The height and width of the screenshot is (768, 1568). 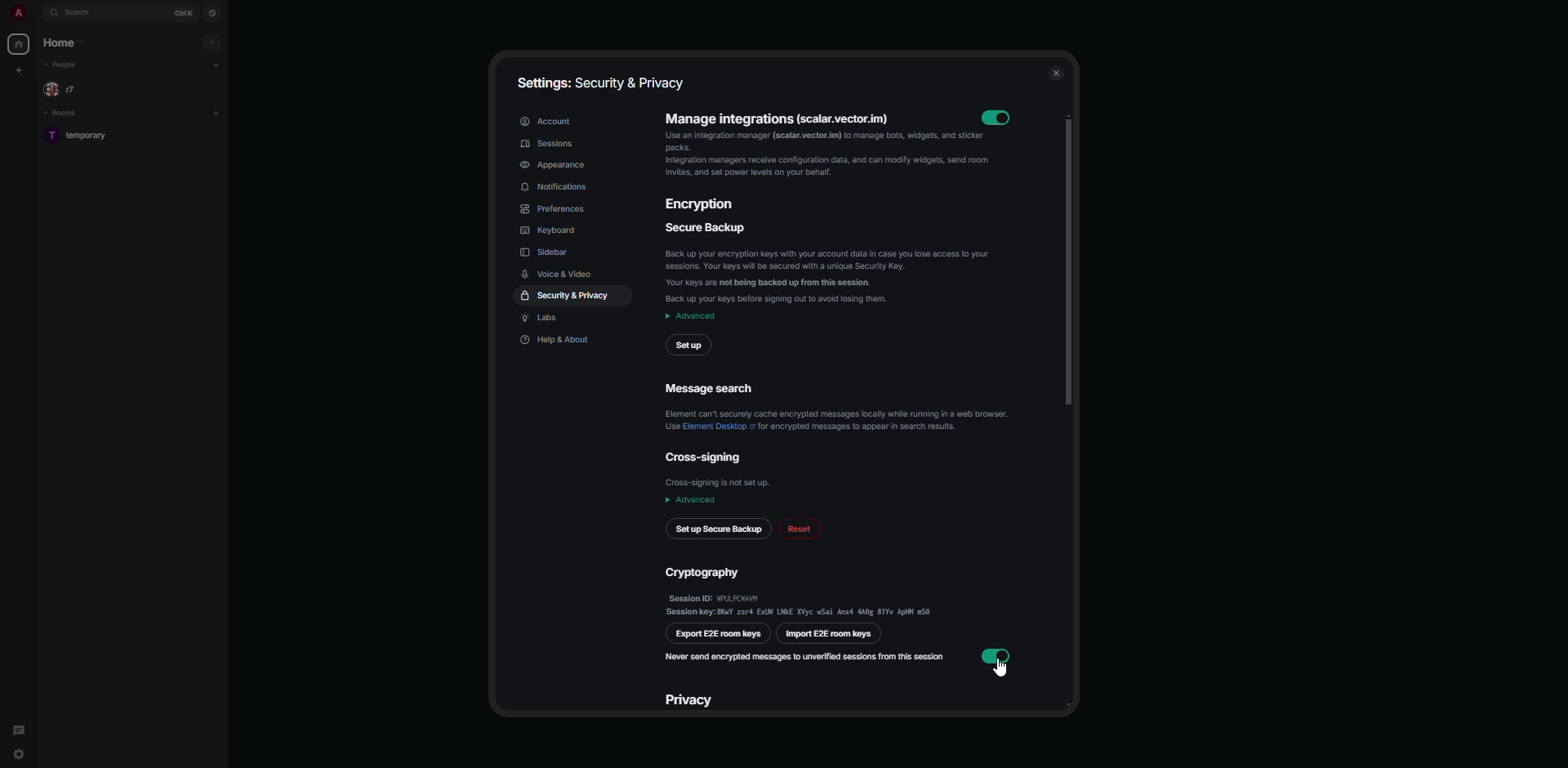 What do you see at coordinates (719, 633) in the screenshot?
I see `export e2e room keys` at bounding box center [719, 633].